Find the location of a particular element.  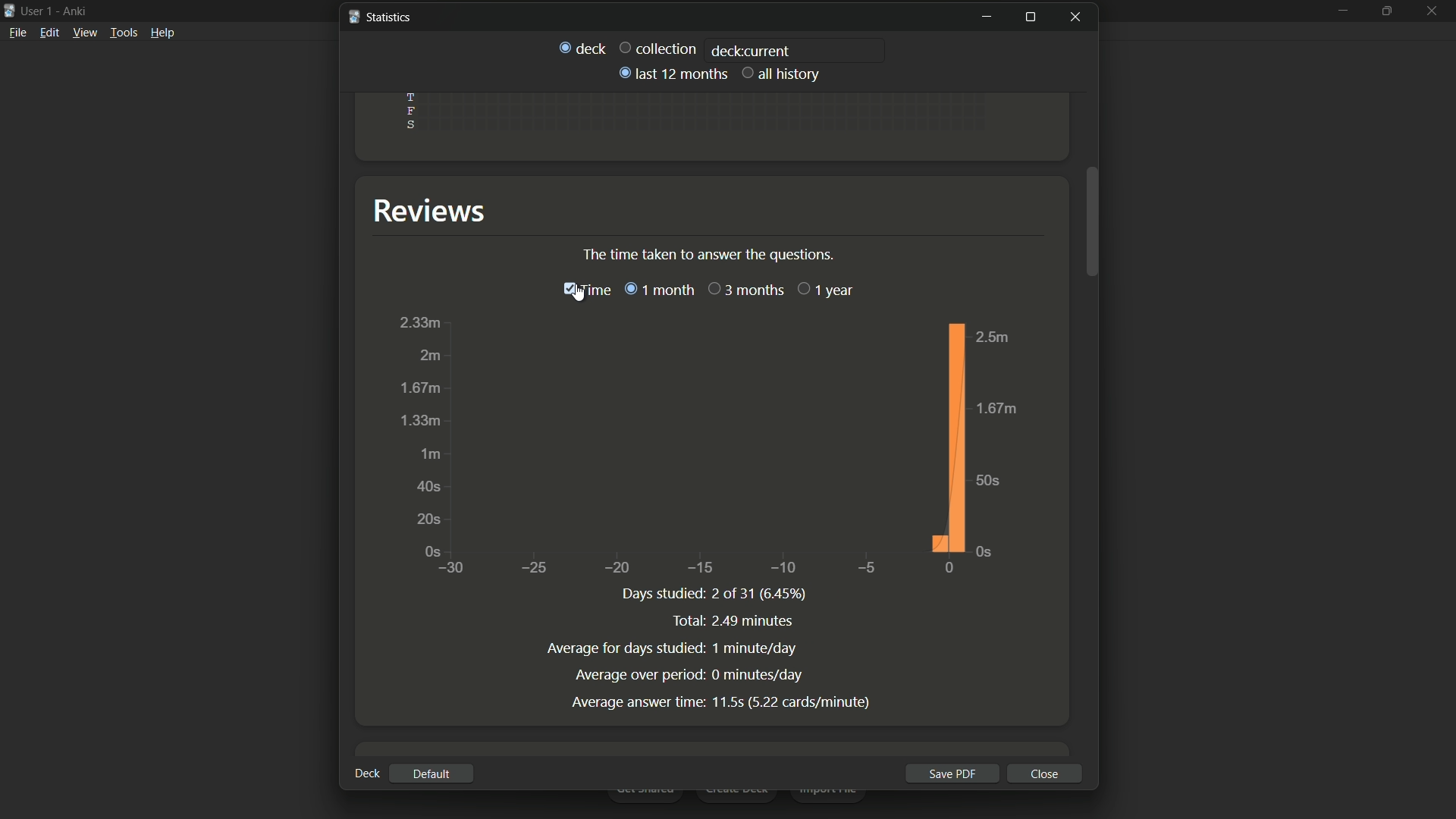

view menu is located at coordinates (85, 33).